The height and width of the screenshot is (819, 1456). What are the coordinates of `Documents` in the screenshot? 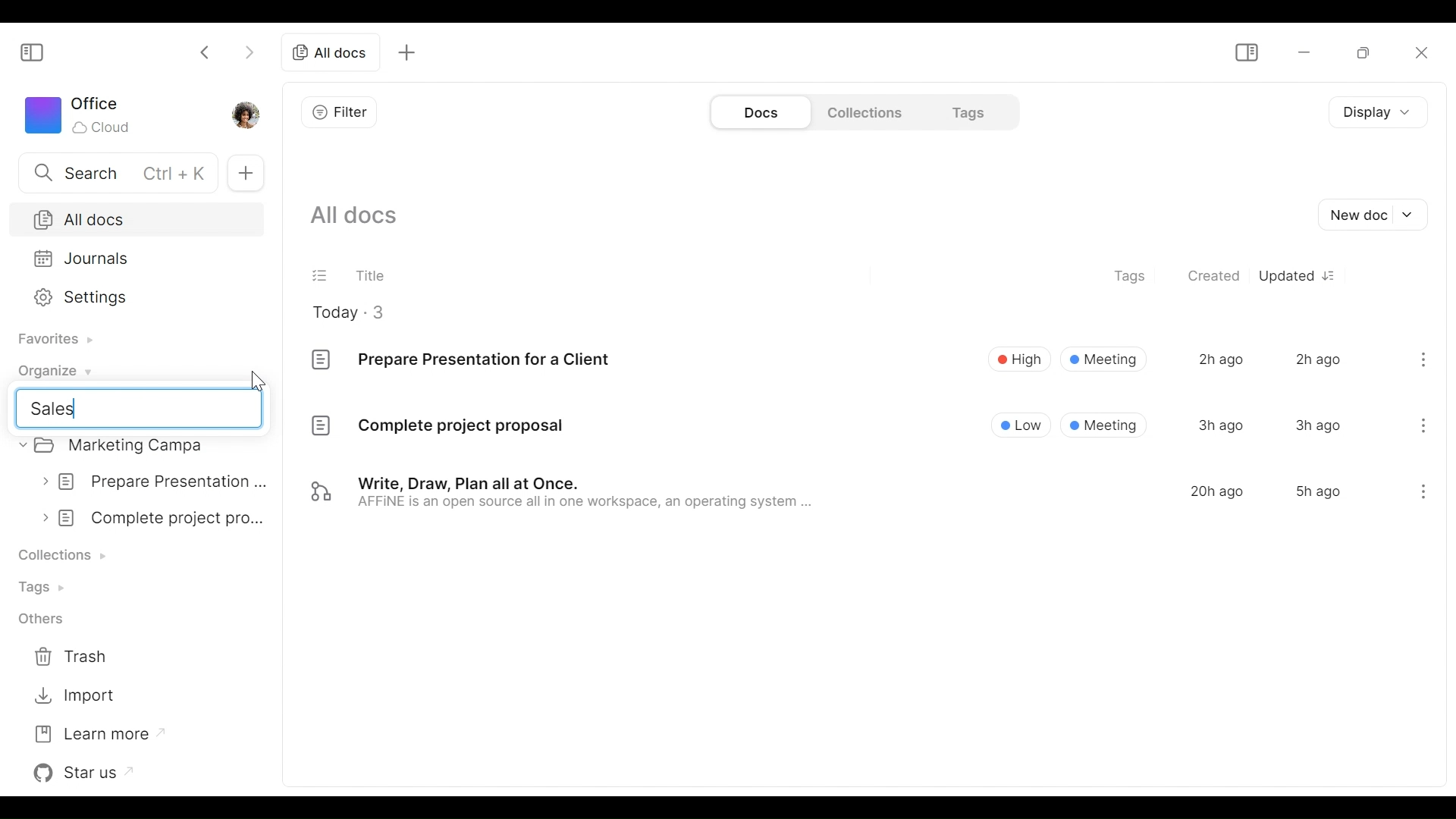 It's located at (759, 112).